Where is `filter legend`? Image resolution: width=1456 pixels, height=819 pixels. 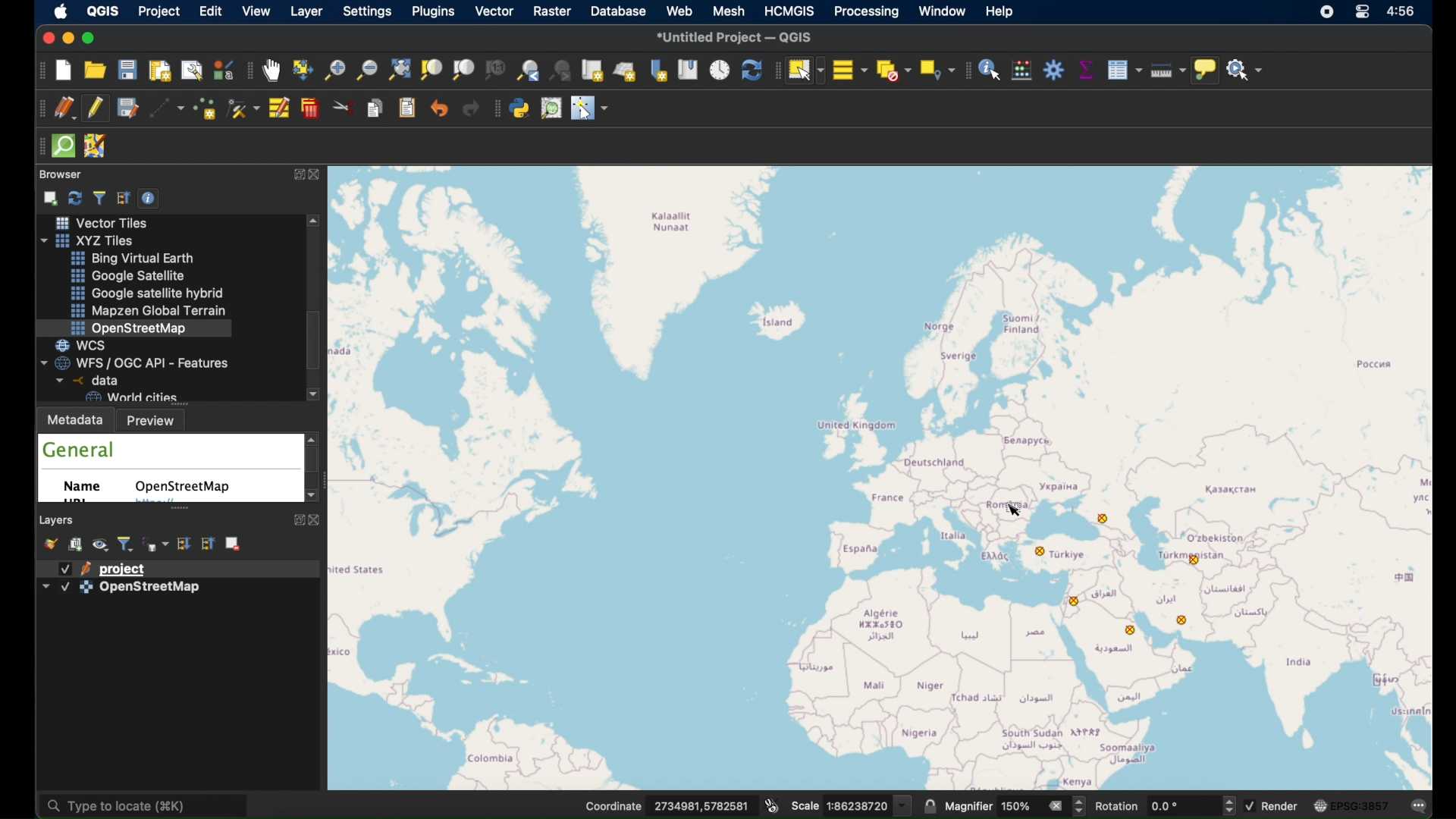
filter legend is located at coordinates (127, 544).